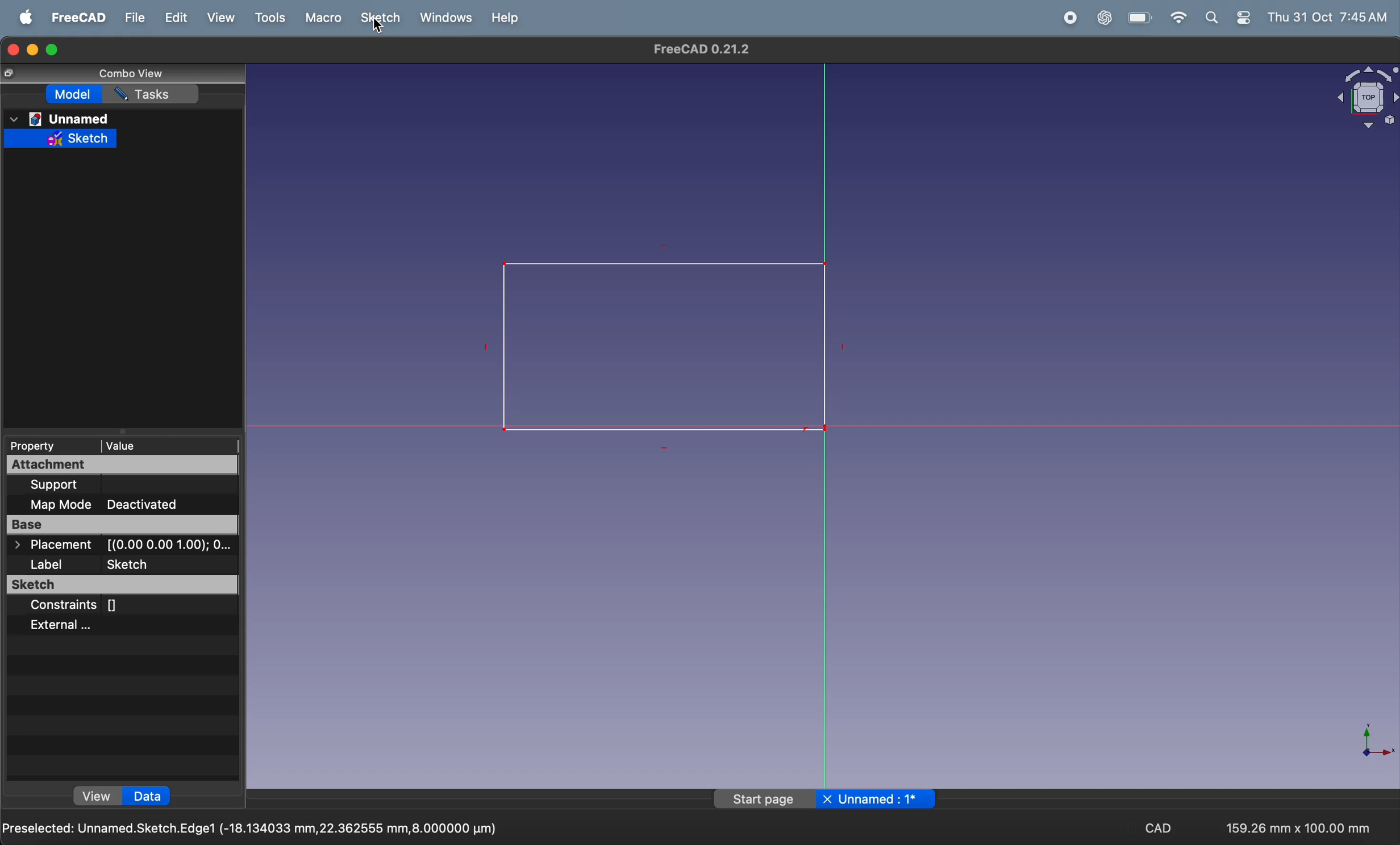 The height and width of the screenshot is (845, 1400). Describe the element at coordinates (267, 19) in the screenshot. I see `tools` at that location.